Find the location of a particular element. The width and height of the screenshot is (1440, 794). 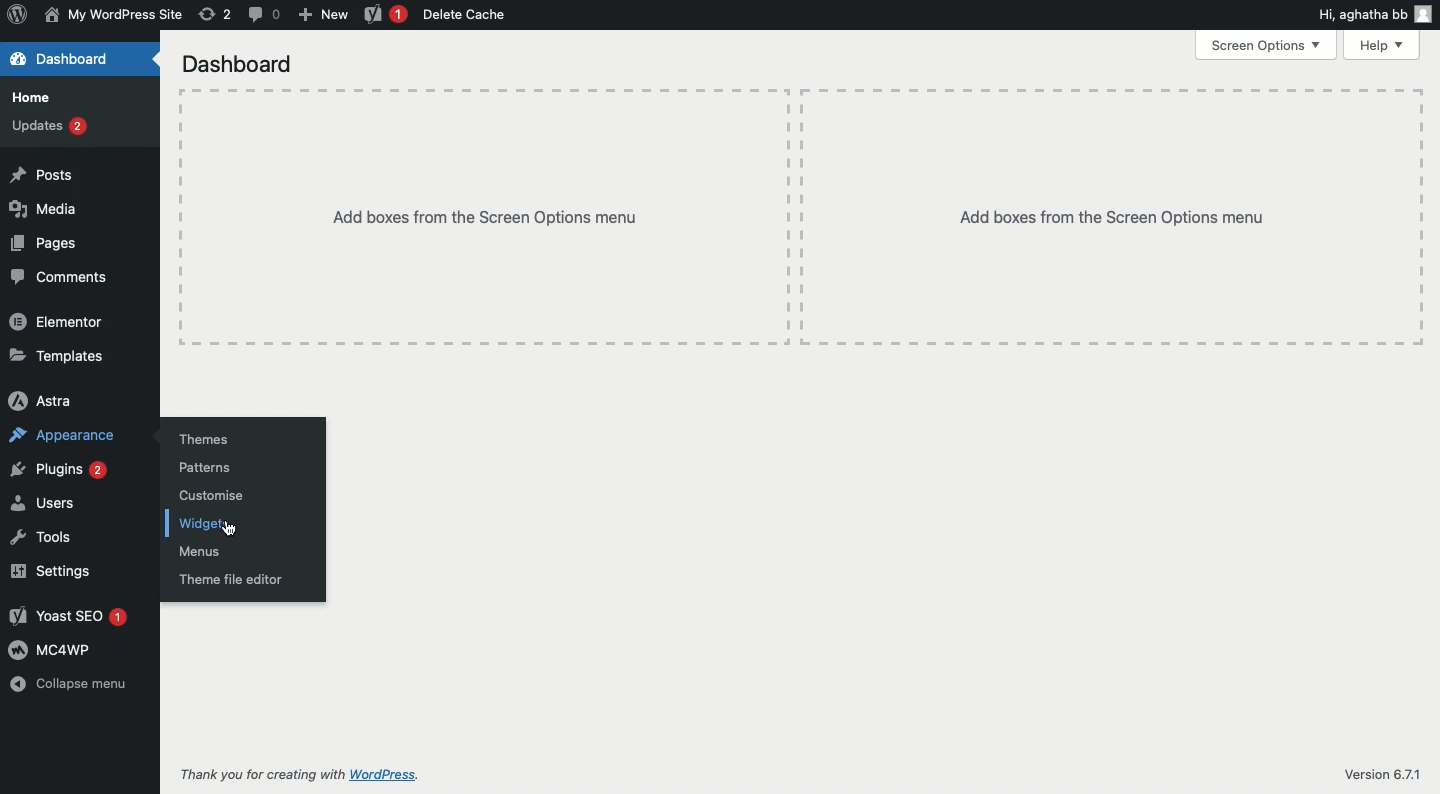

Comment is located at coordinates (261, 13).